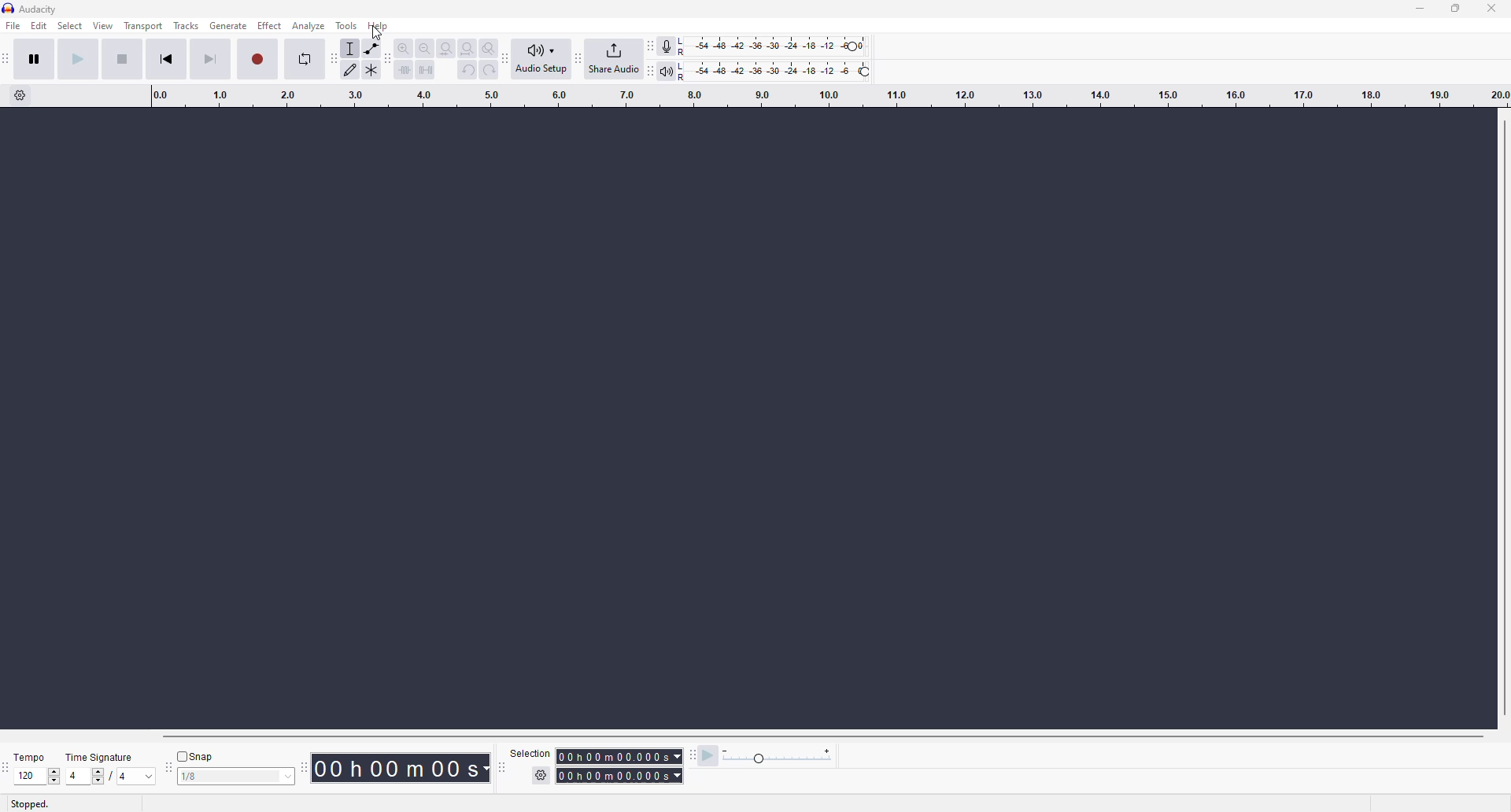 The height and width of the screenshot is (812, 1511). Describe the element at coordinates (405, 773) in the screenshot. I see `time` at that location.